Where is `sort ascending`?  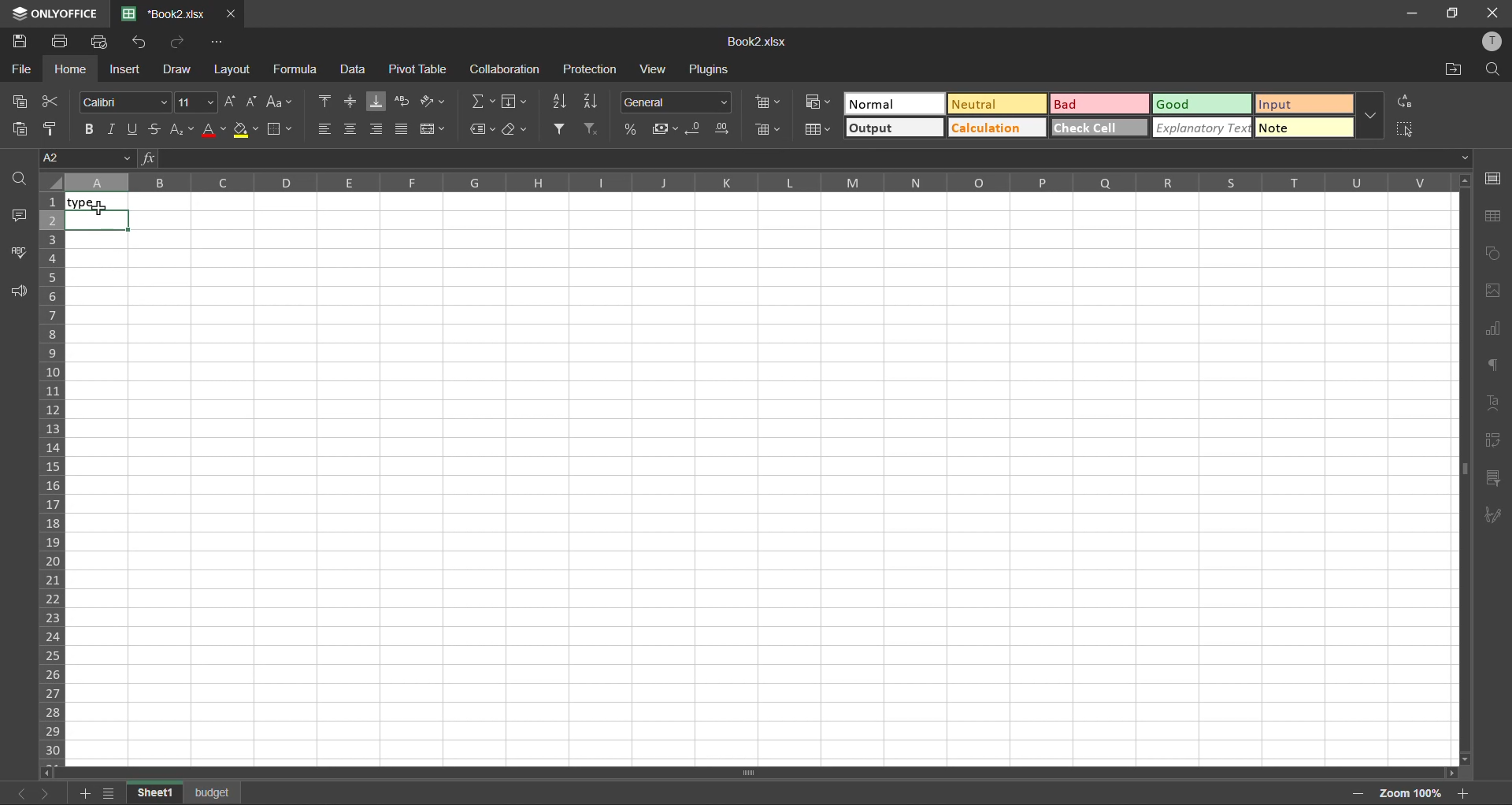 sort ascending is located at coordinates (561, 103).